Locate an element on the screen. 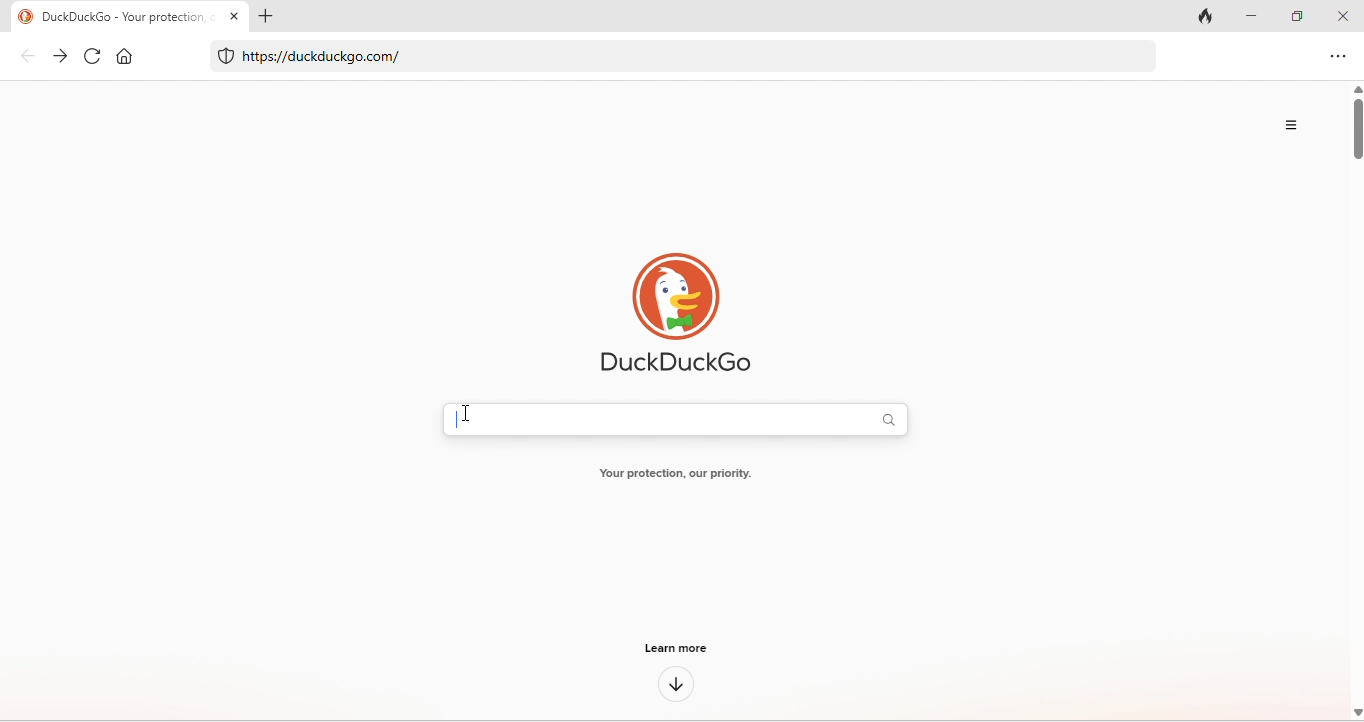 This screenshot has height=722, width=1364. typing is located at coordinates (654, 420).